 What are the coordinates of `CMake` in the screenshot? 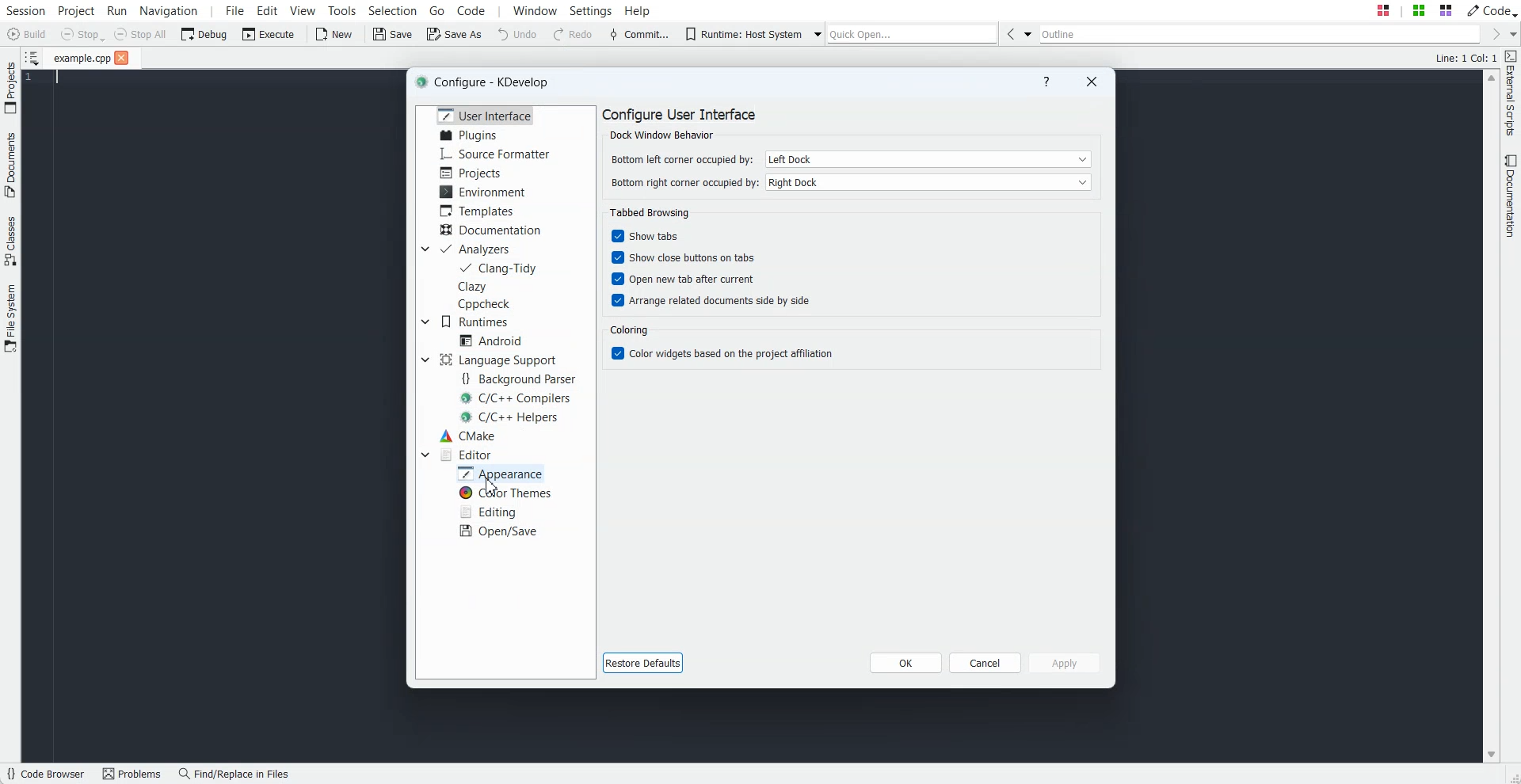 It's located at (469, 436).